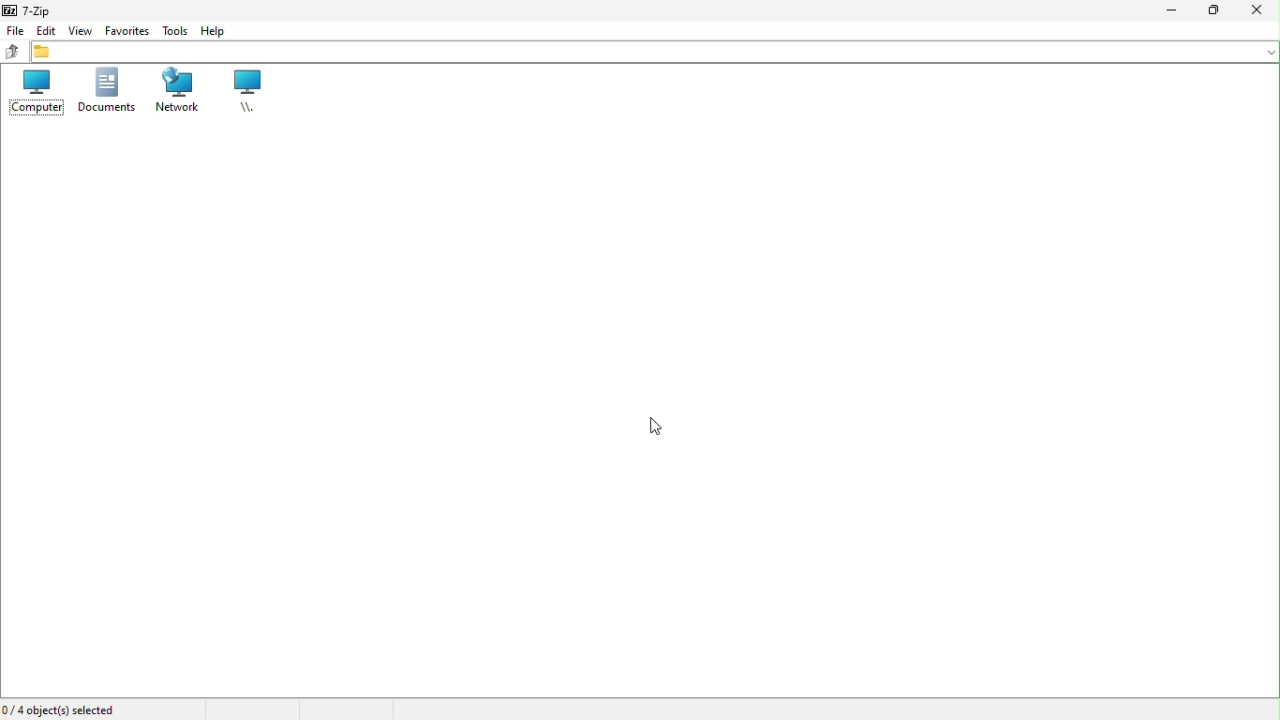  I want to click on Help, so click(215, 31).